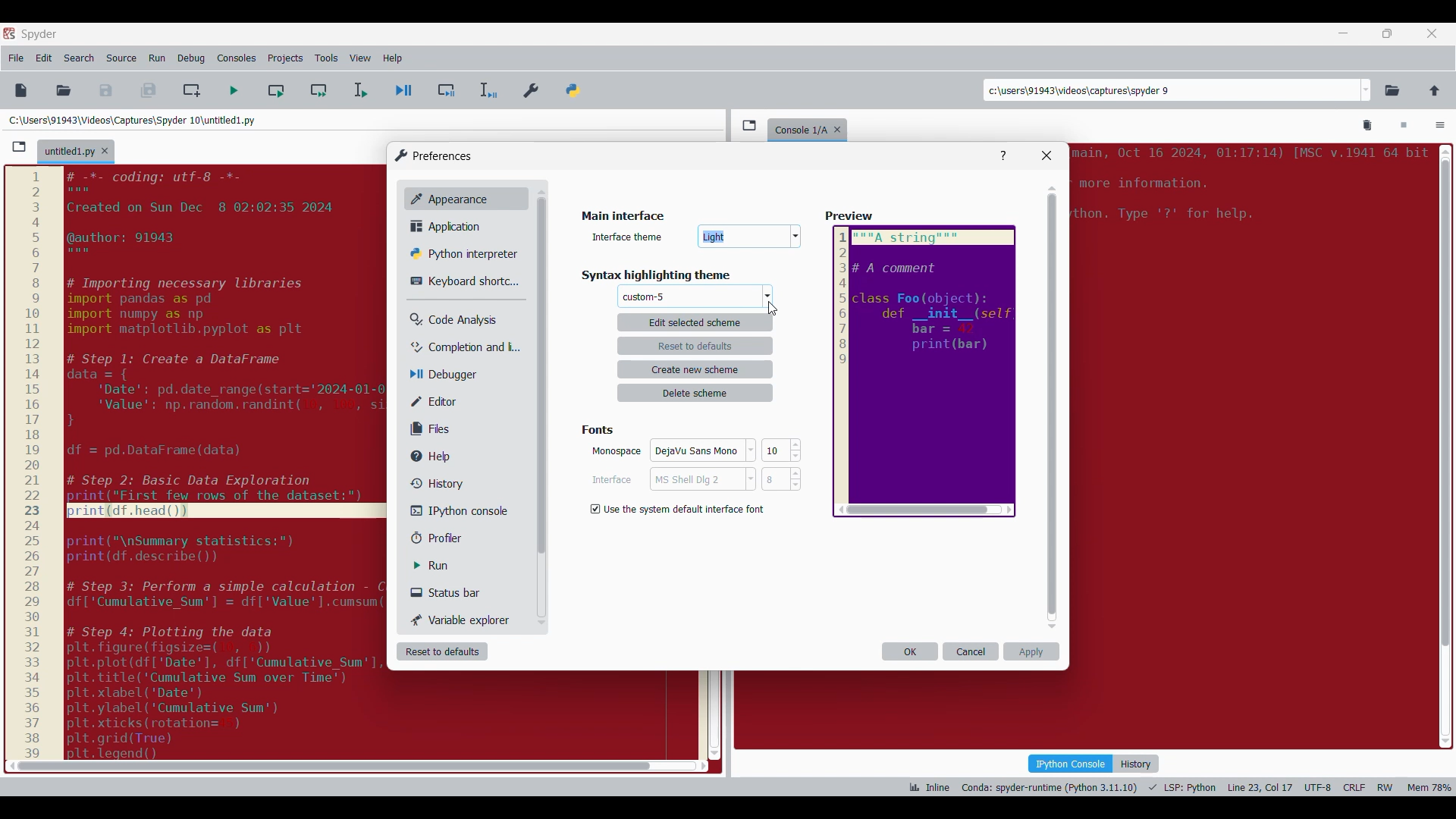 The image size is (1456, 819). Describe the element at coordinates (798, 128) in the screenshot. I see `console` at that location.